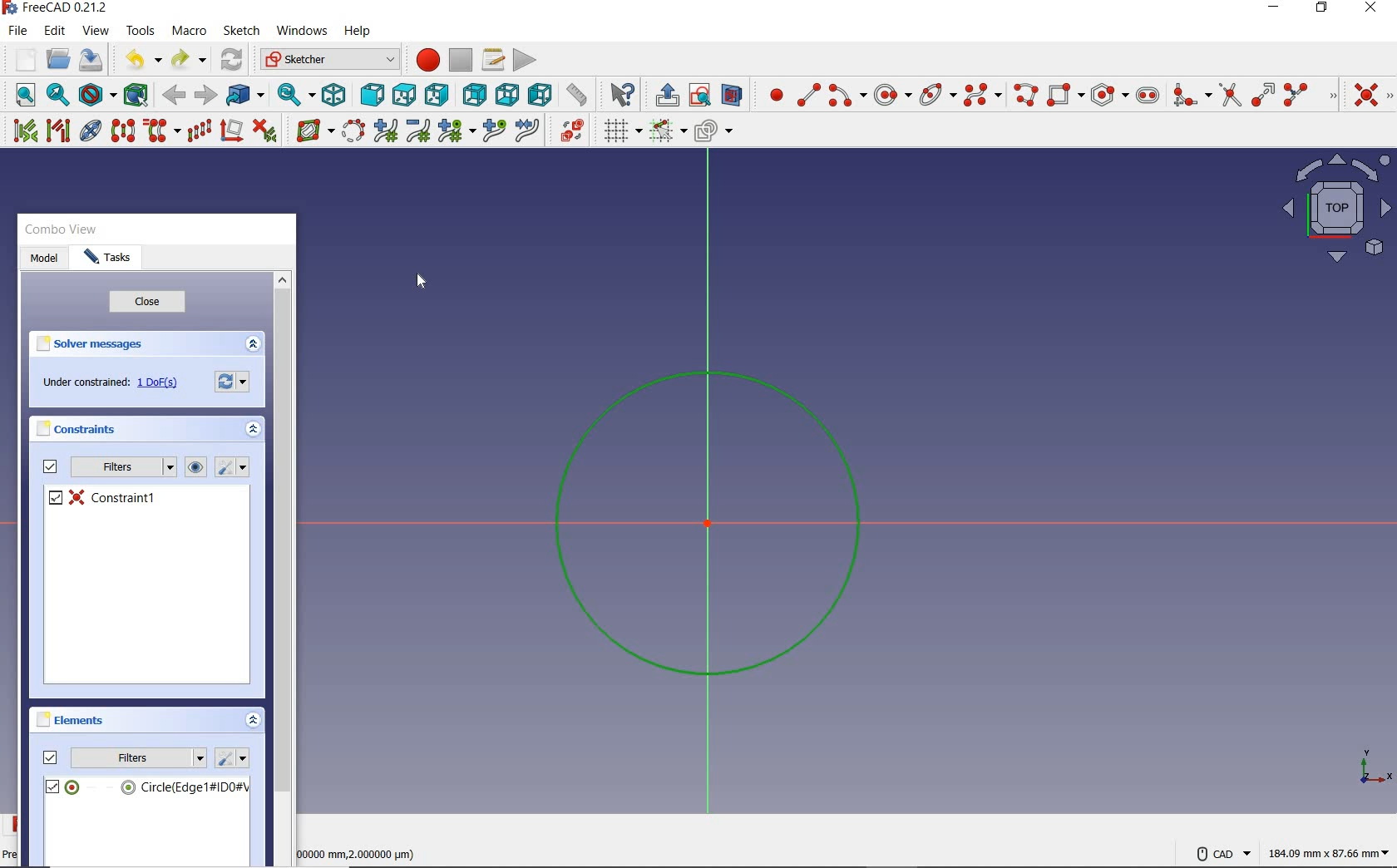 Image resolution: width=1397 pixels, height=868 pixels. Describe the element at coordinates (56, 94) in the screenshot. I see `fit selection` at that location.